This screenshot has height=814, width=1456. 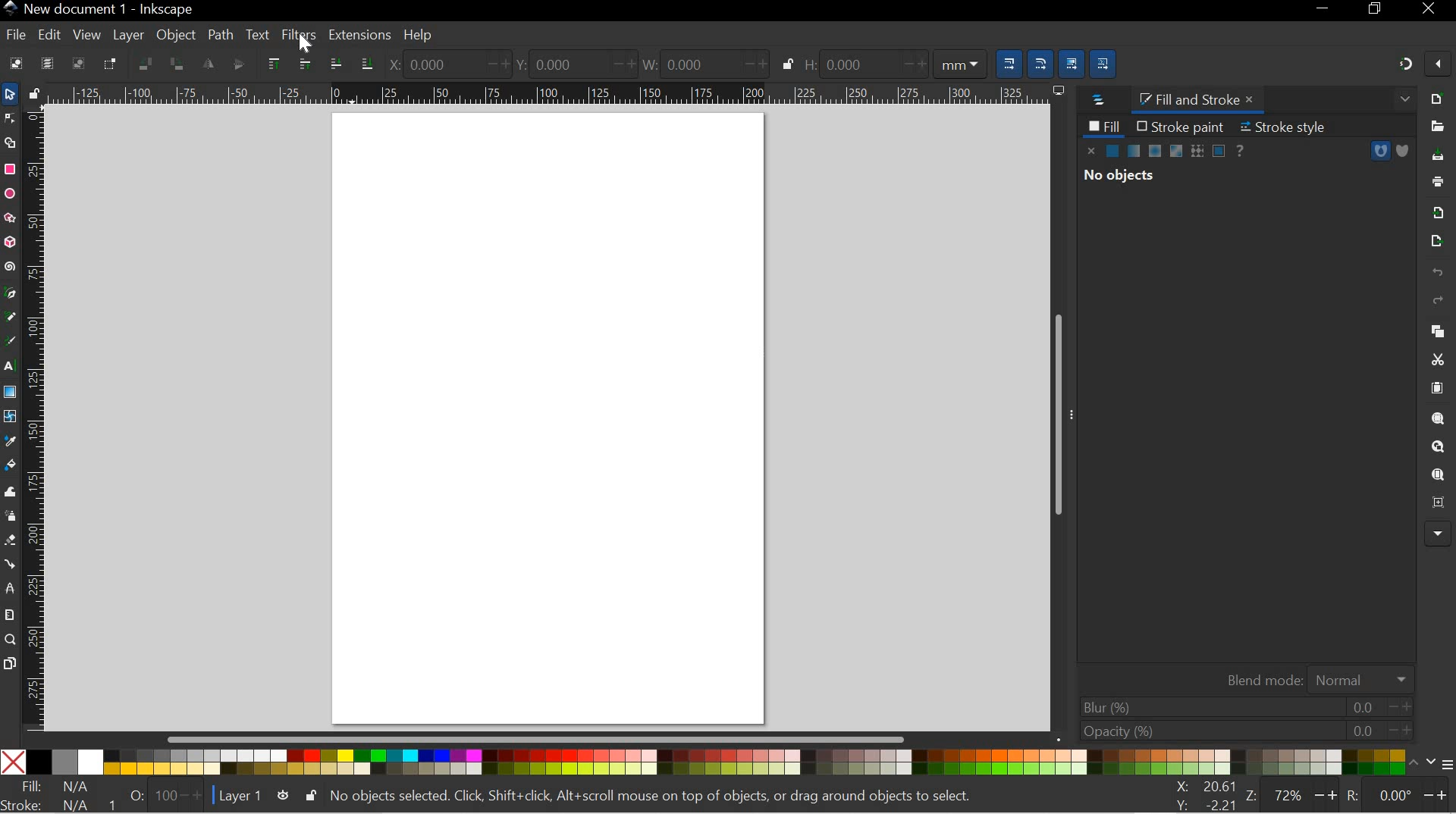 What do you see at coordinates (1397, 797) in the screenshot?
I see `ROTATION` at bounding box center [1397, 797].